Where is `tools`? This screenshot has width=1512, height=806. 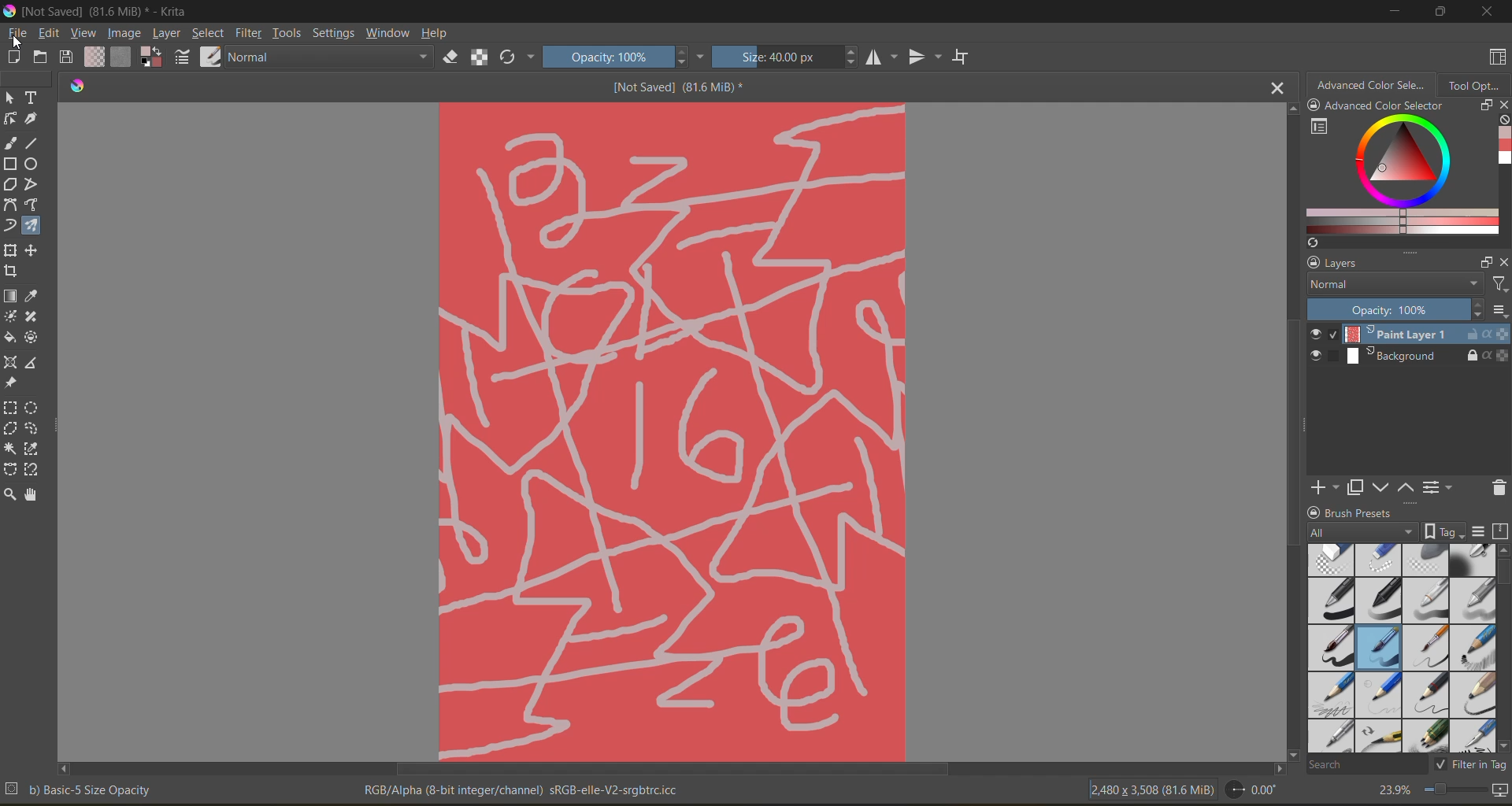
tools is located at coordinates (289, 33).